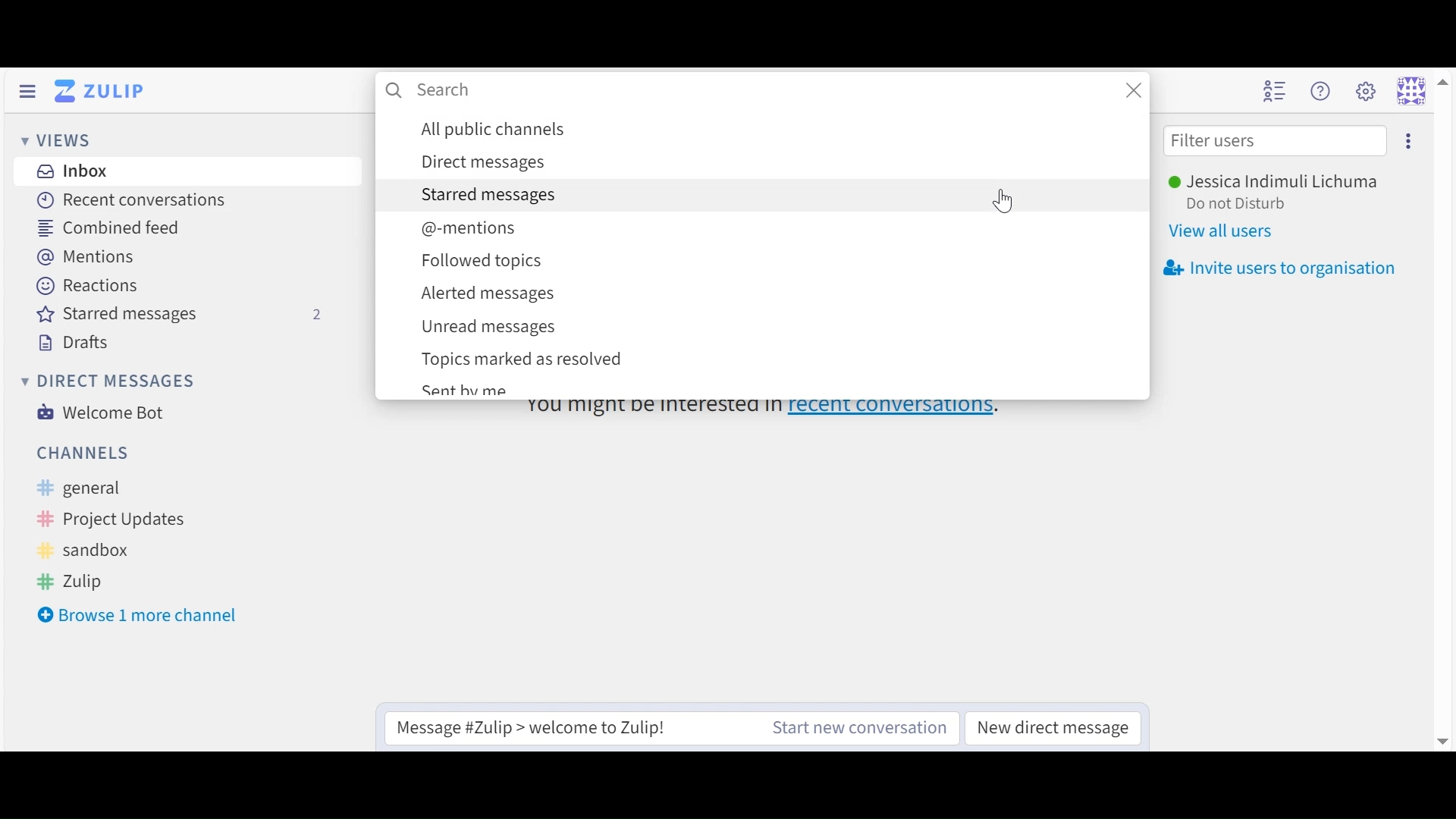 This screenshot has height=819, width=1456. Describe the element at coordinates (90, 287) in the screenshot. I see `Reactions` at that location.